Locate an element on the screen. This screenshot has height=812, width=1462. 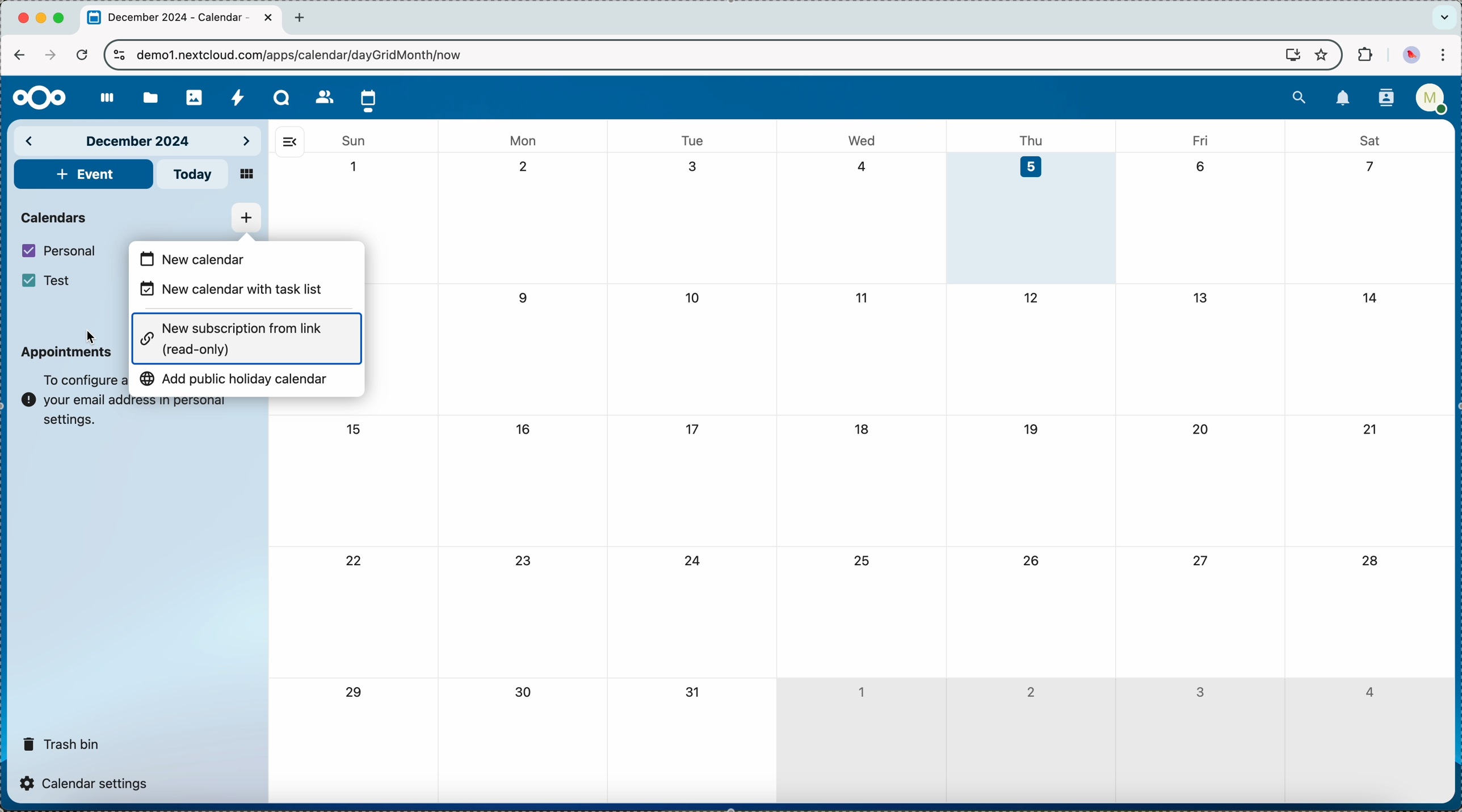
fri is located at coordinates (1199, 140).